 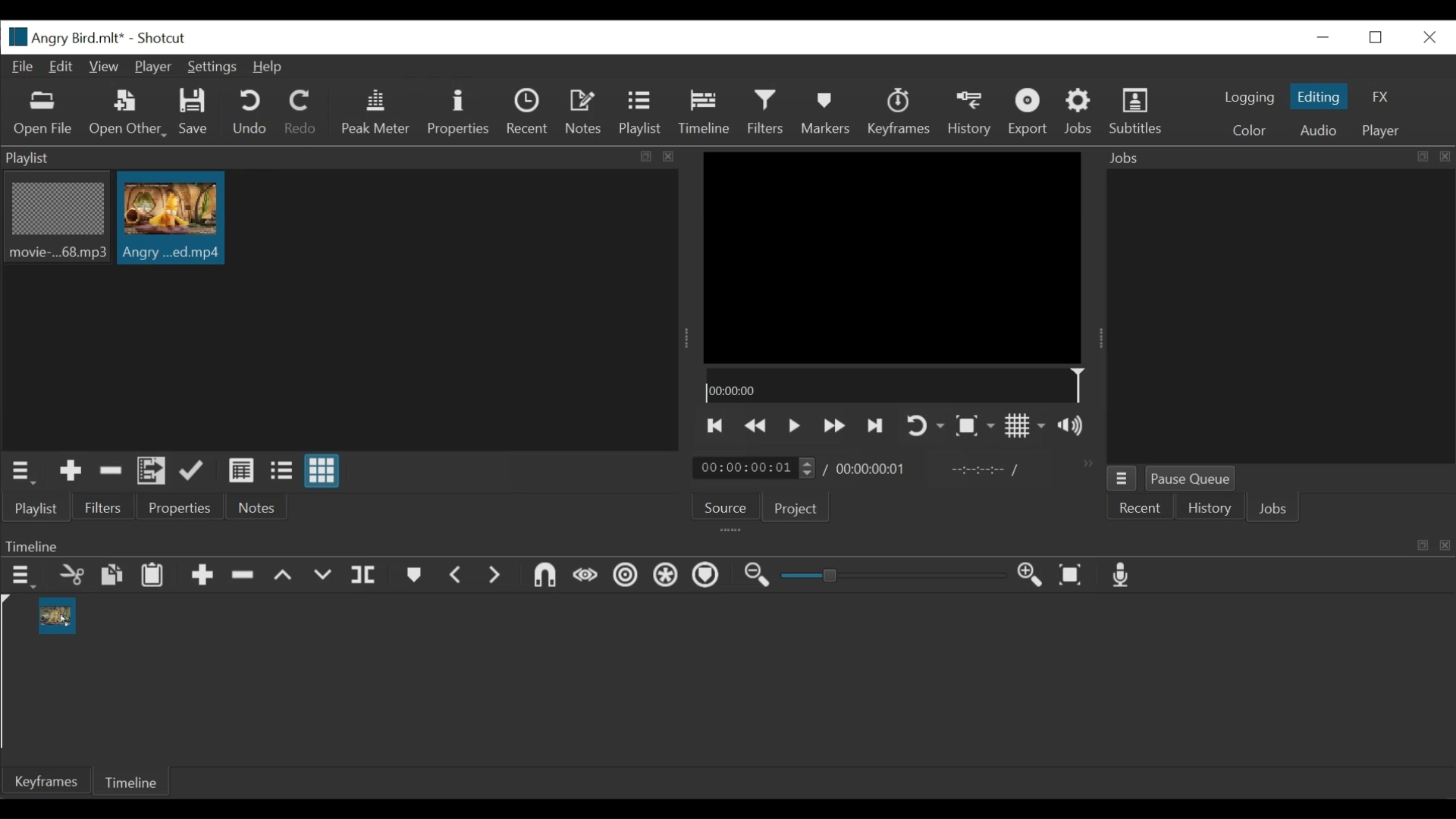 What do you see at coordinates (152, 472) in the screenshot?
I see `Add files to the playlist` at bounding box center [152, 472].